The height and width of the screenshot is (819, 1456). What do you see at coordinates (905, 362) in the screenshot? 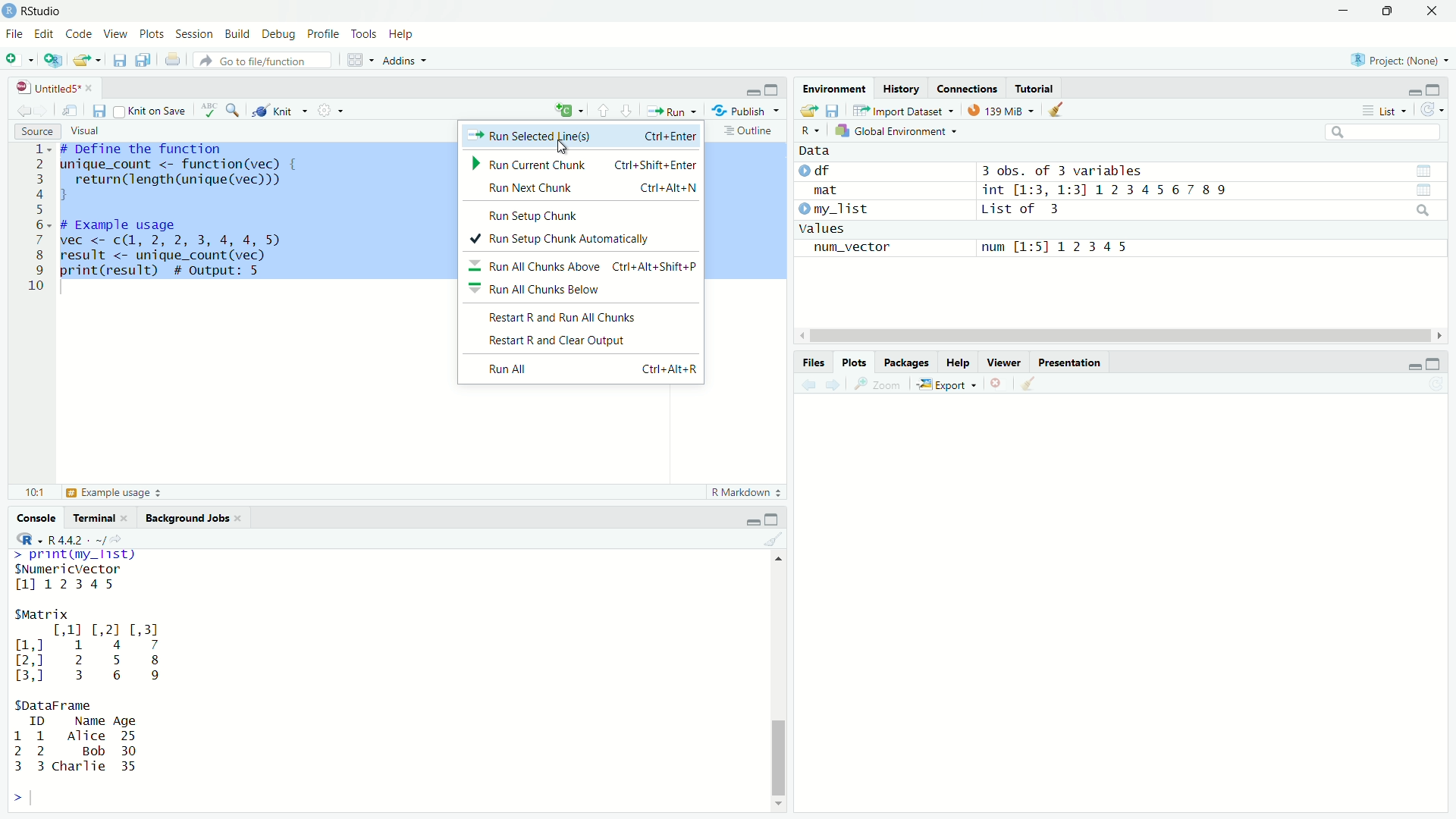
I see `Packages` at bounding box center [905, 362].